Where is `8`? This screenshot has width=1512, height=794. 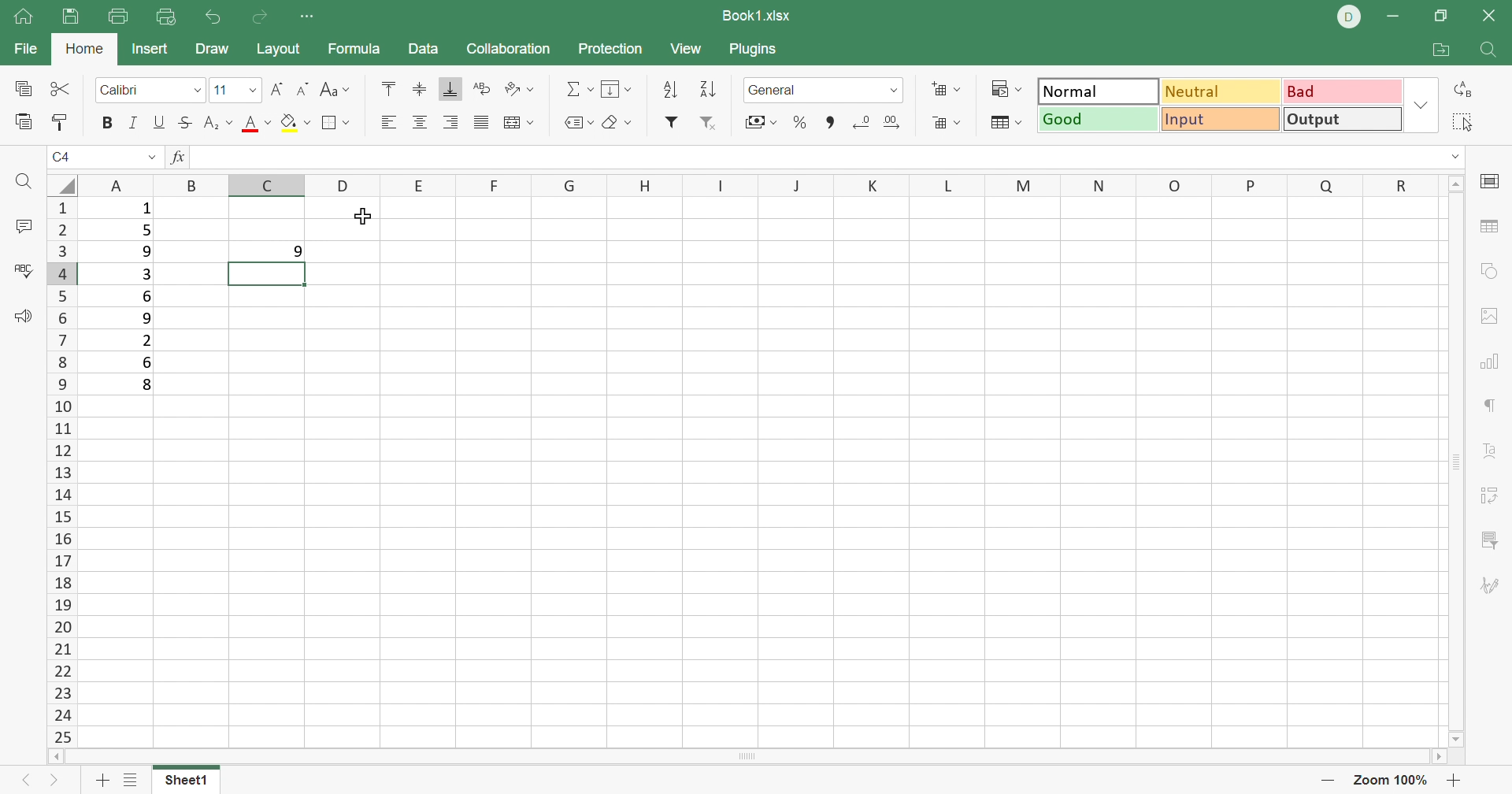
8 is located at coordinates (145, 386).